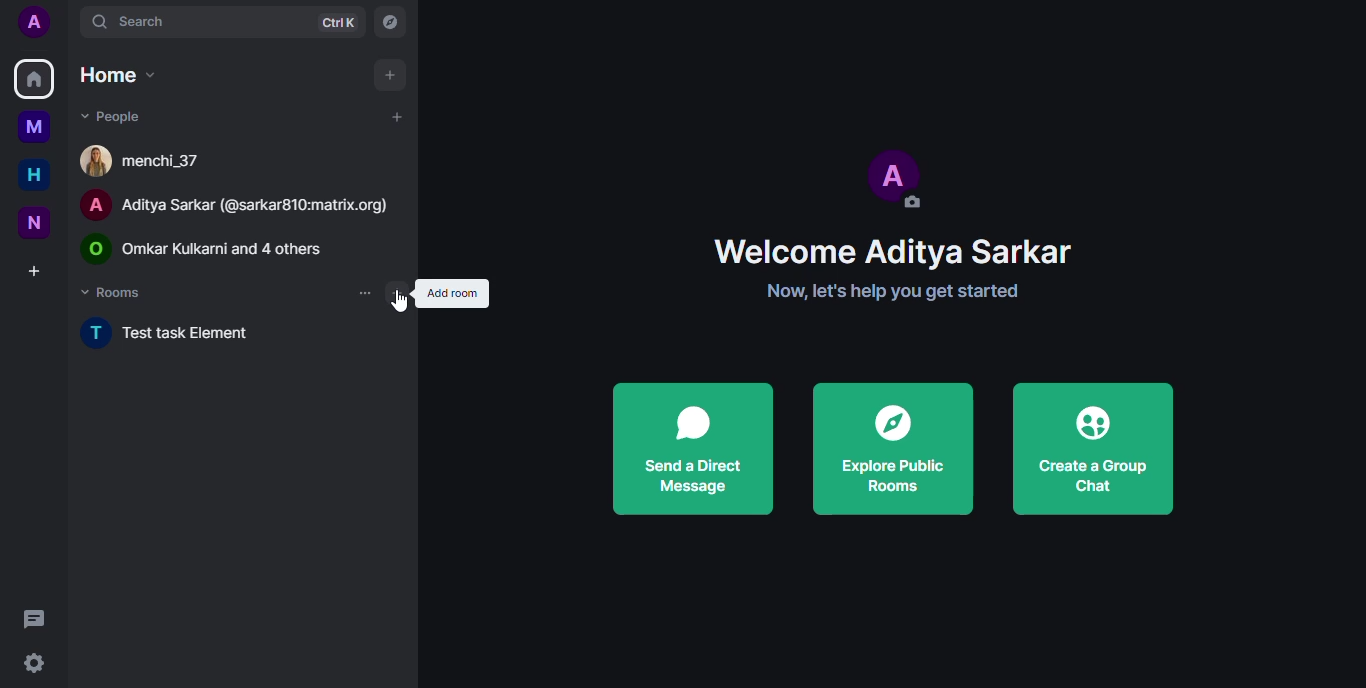 The height and width of the screenshot is (688, 1366). I want to click on home, so click(33, 78).